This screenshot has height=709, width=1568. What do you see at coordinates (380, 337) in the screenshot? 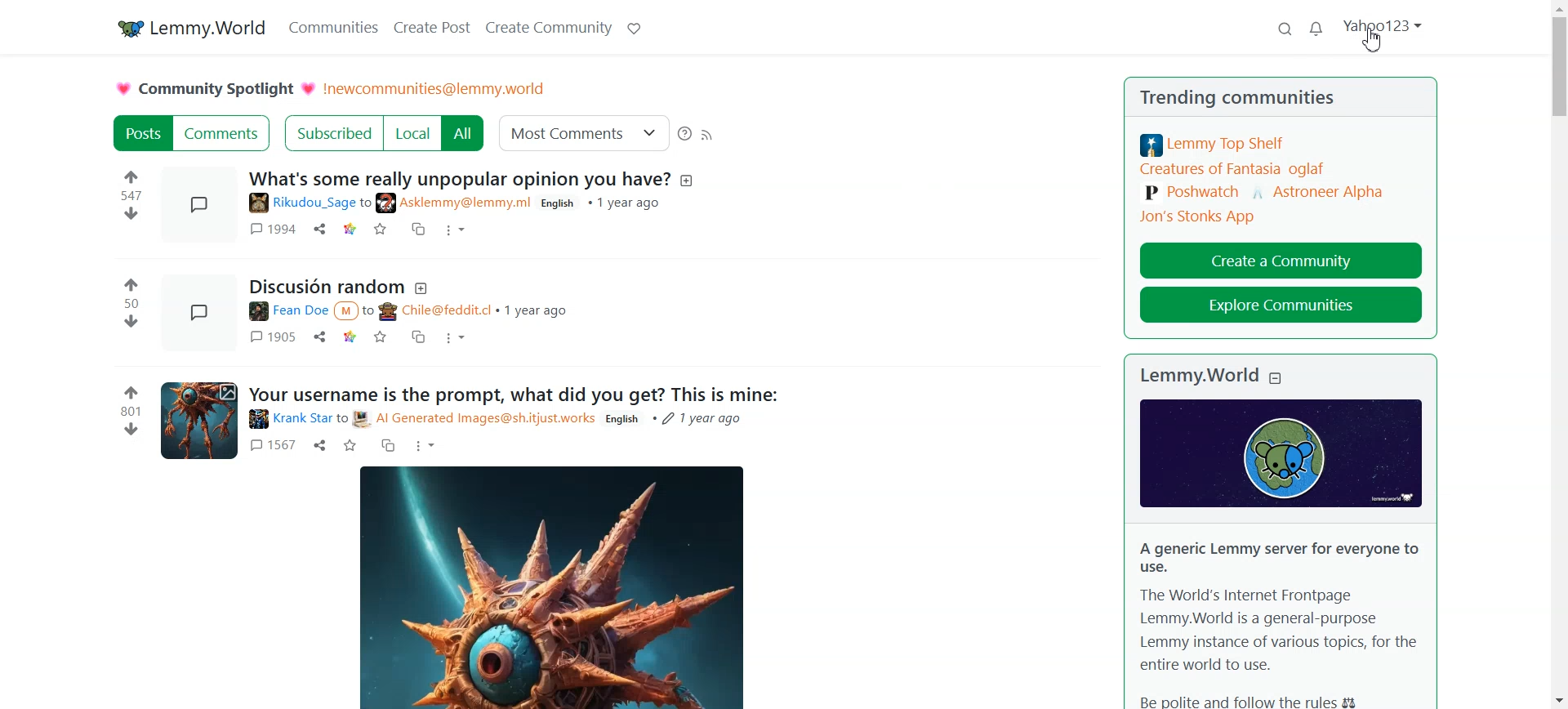
I see `save` at bounding box center [380, 337].